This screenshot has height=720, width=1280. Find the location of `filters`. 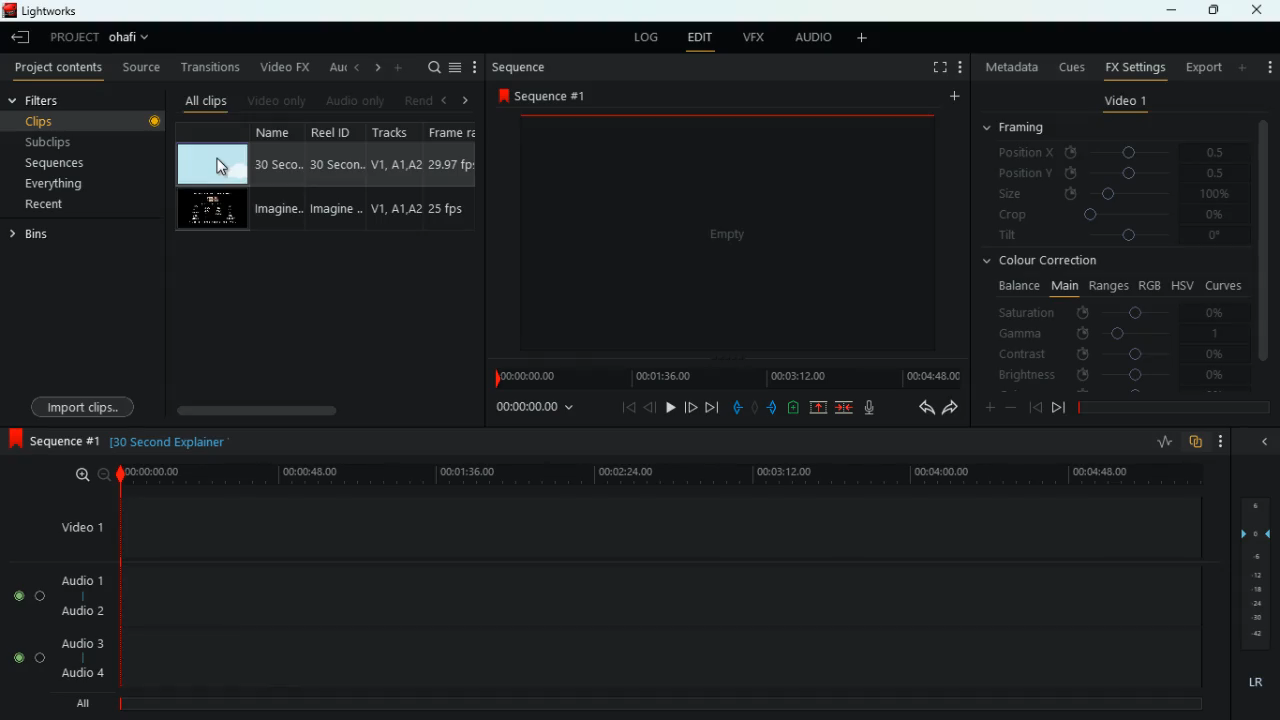

filters is located at coordinates (42, 100).